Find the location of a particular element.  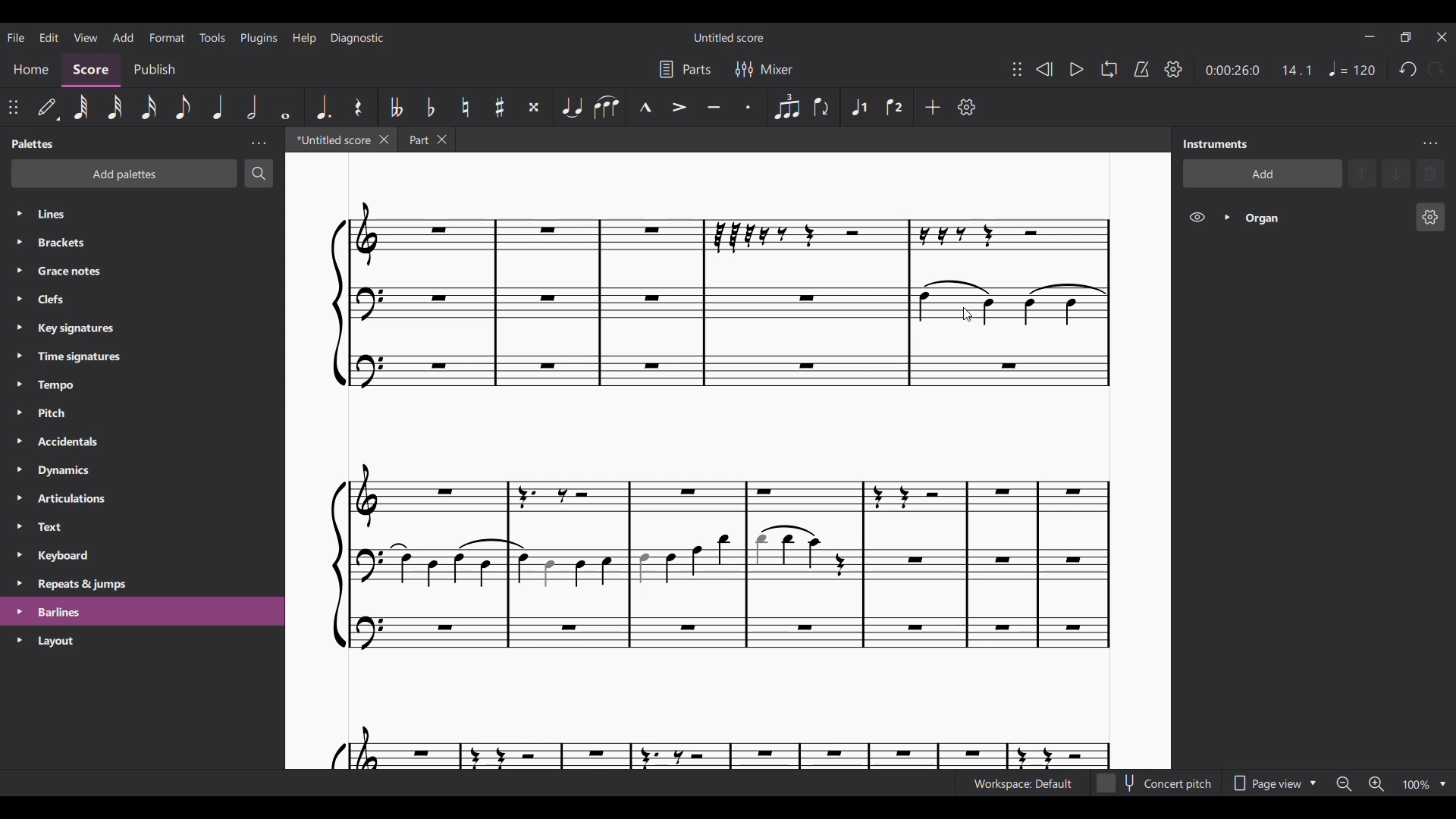

Diagnostic menu is located at coordinates (357, 38).